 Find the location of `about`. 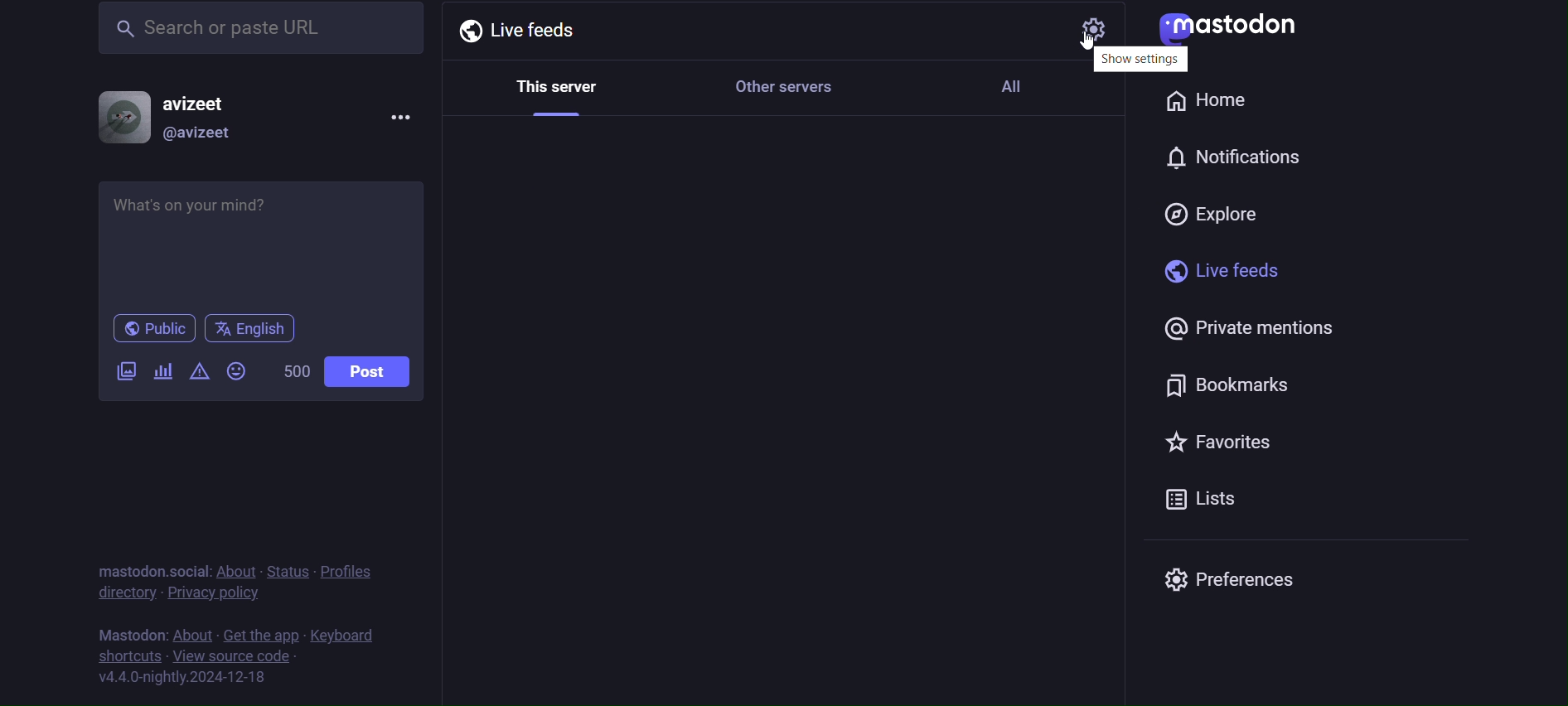

about is located at coordinates (188, 628).